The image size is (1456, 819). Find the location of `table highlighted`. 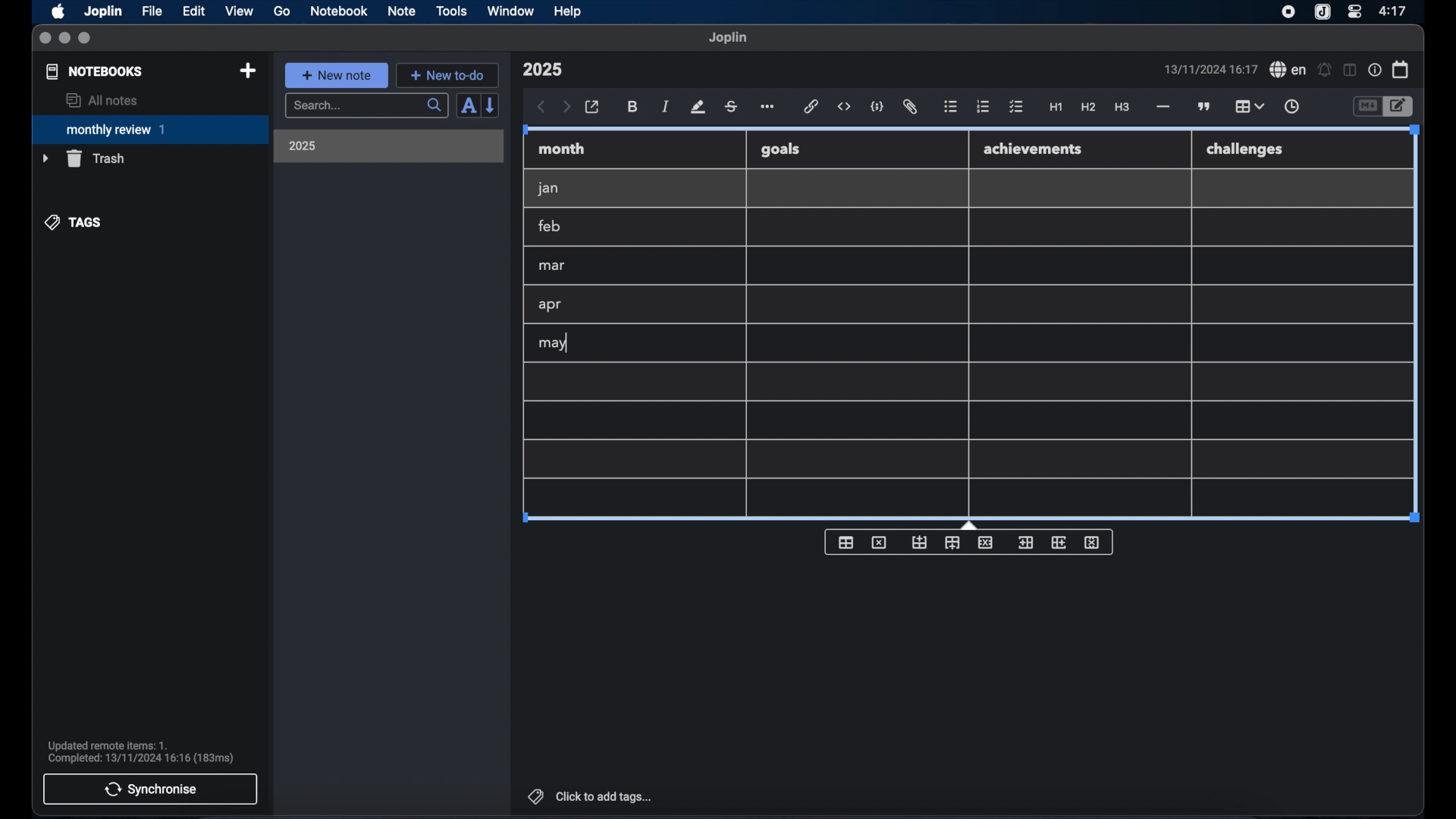

table highlighted is located at coordinates (1247, 106).